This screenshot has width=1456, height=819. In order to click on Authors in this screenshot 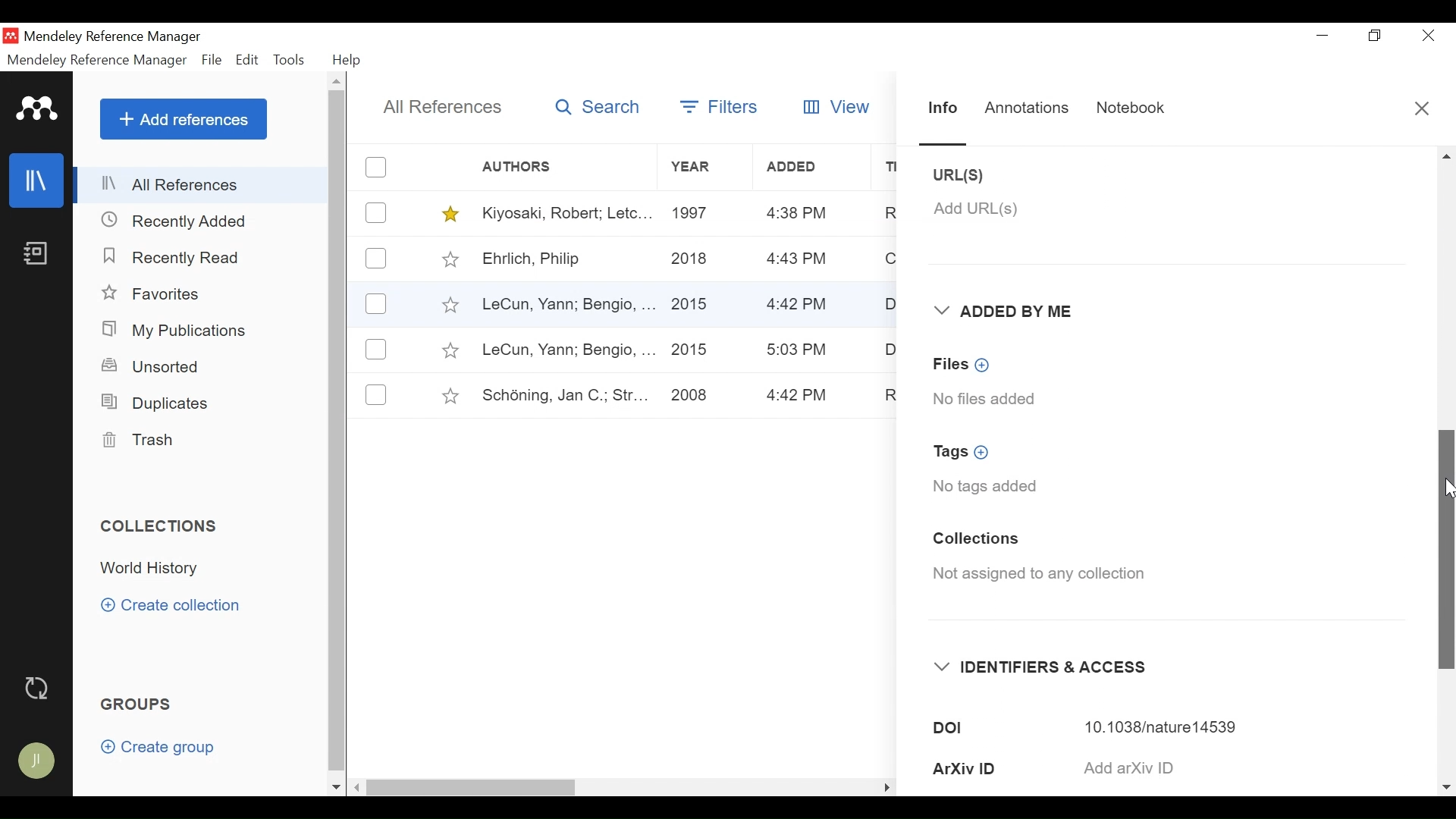, I will do `click(529, 168)`.